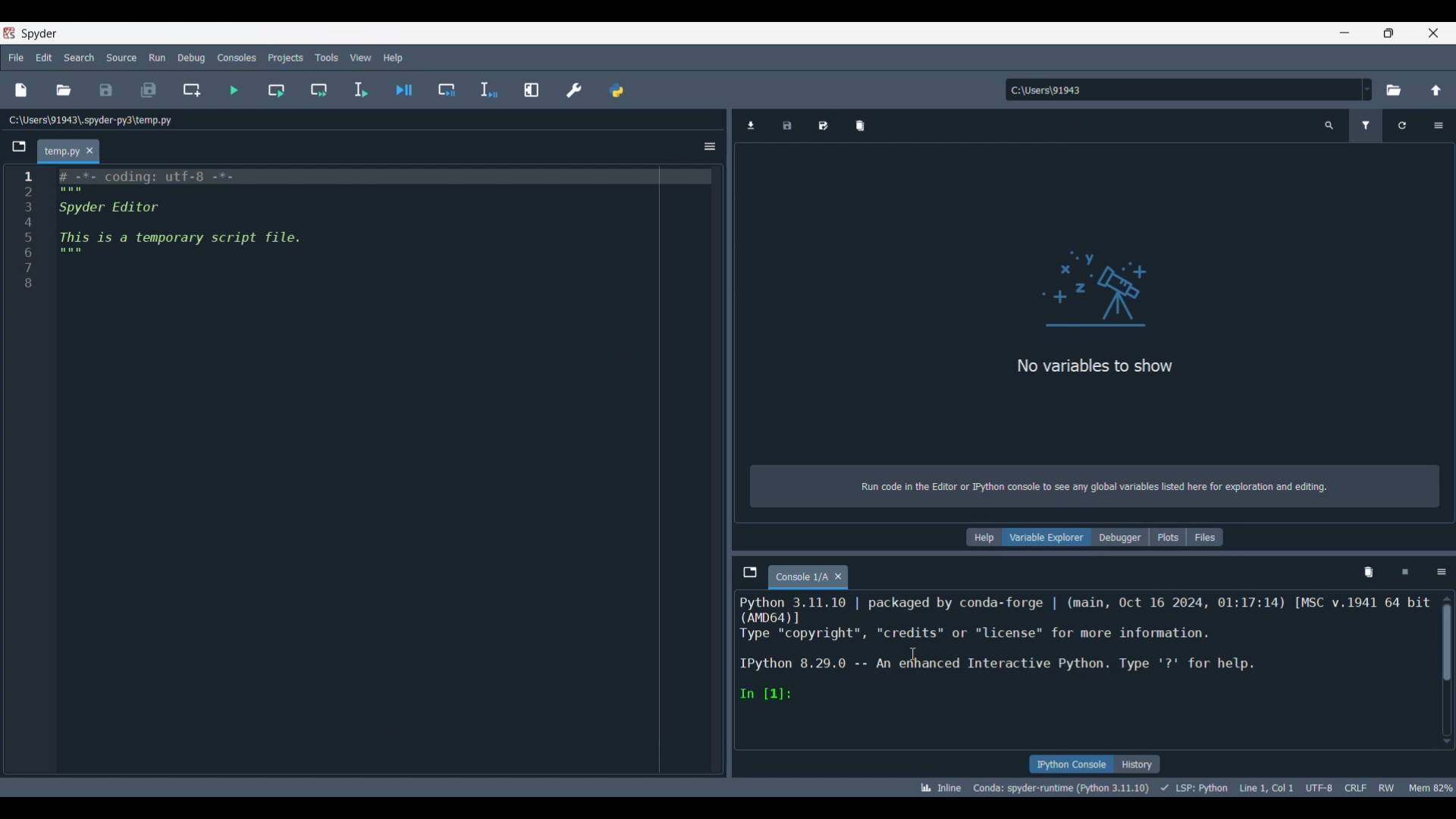  Describe the element at coordinates (1046, 537) in the screenshot. I see `Variable explorer` at that location.